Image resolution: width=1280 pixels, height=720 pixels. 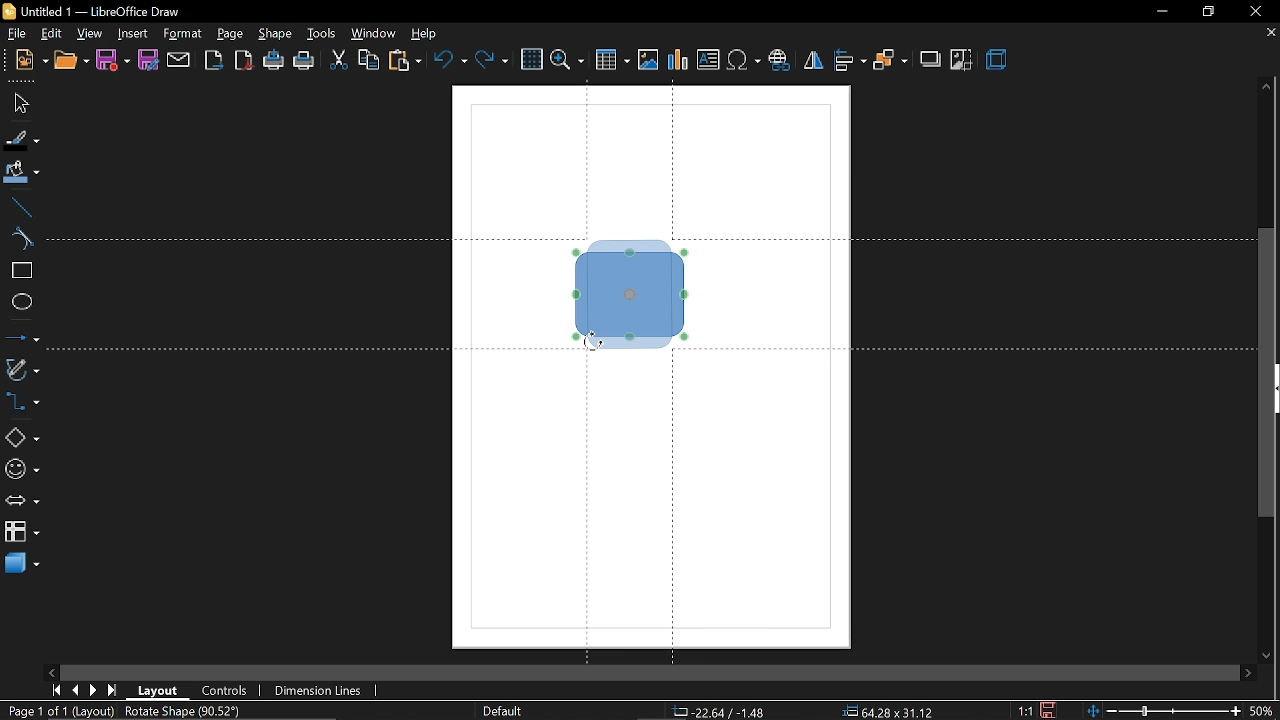 What do you see at coordinates (19, 34) in the screenshot?
I see `file` at bounding box center [19, 34].